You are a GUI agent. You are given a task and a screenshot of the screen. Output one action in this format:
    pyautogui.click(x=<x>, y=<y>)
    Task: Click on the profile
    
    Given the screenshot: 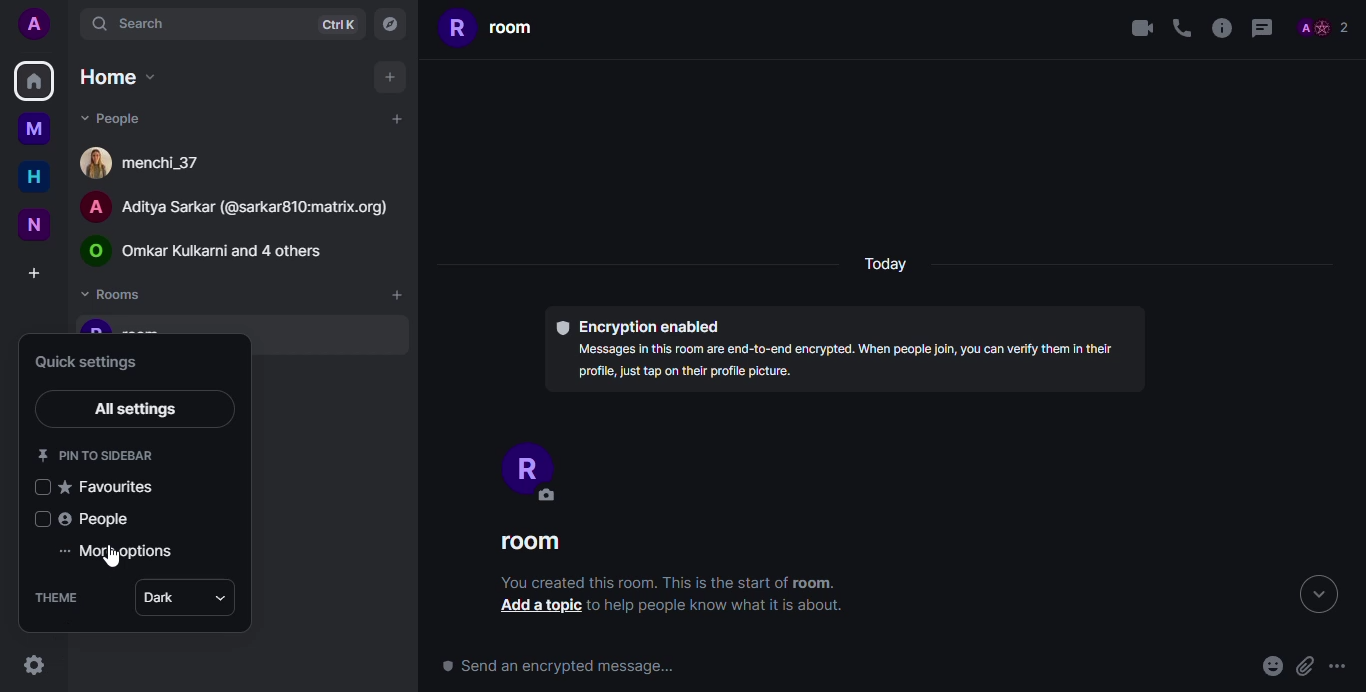 What is the action you would take?
    pyautogui.click(x=35, y=24)
    